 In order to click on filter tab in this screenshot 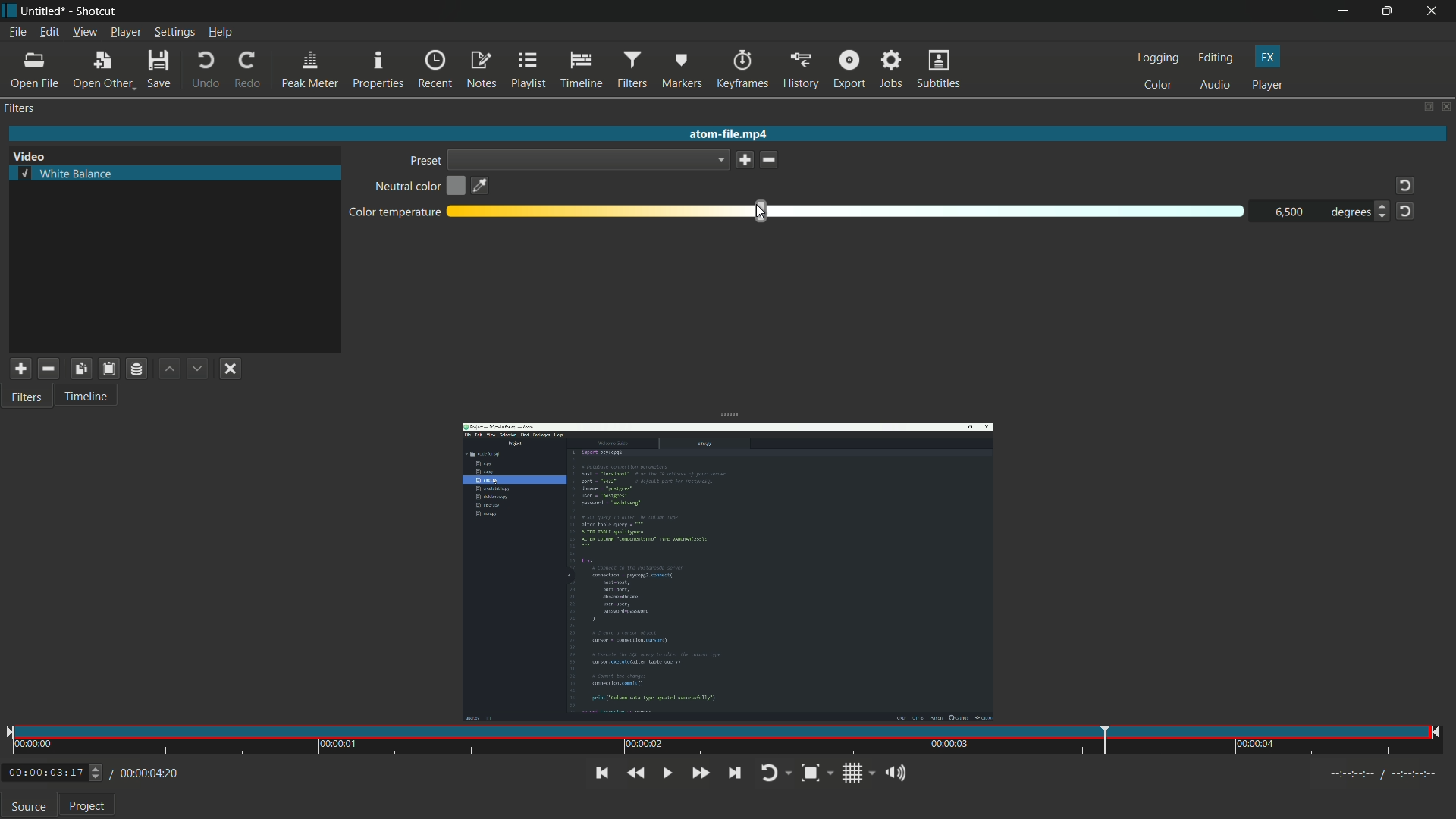, I will do `click(29, 398)`.